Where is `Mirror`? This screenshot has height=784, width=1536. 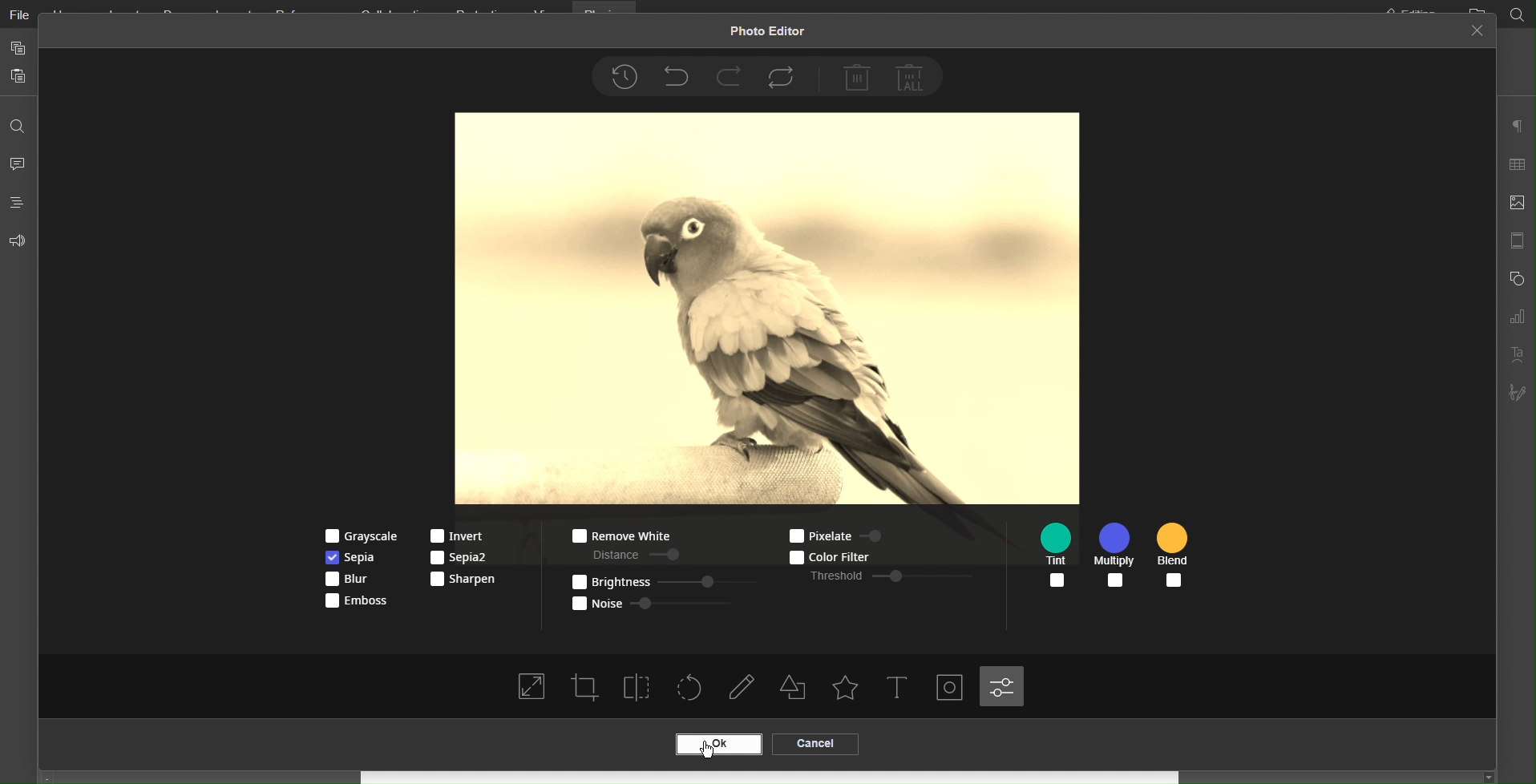
Mirror is located at coordinates (638, 686).